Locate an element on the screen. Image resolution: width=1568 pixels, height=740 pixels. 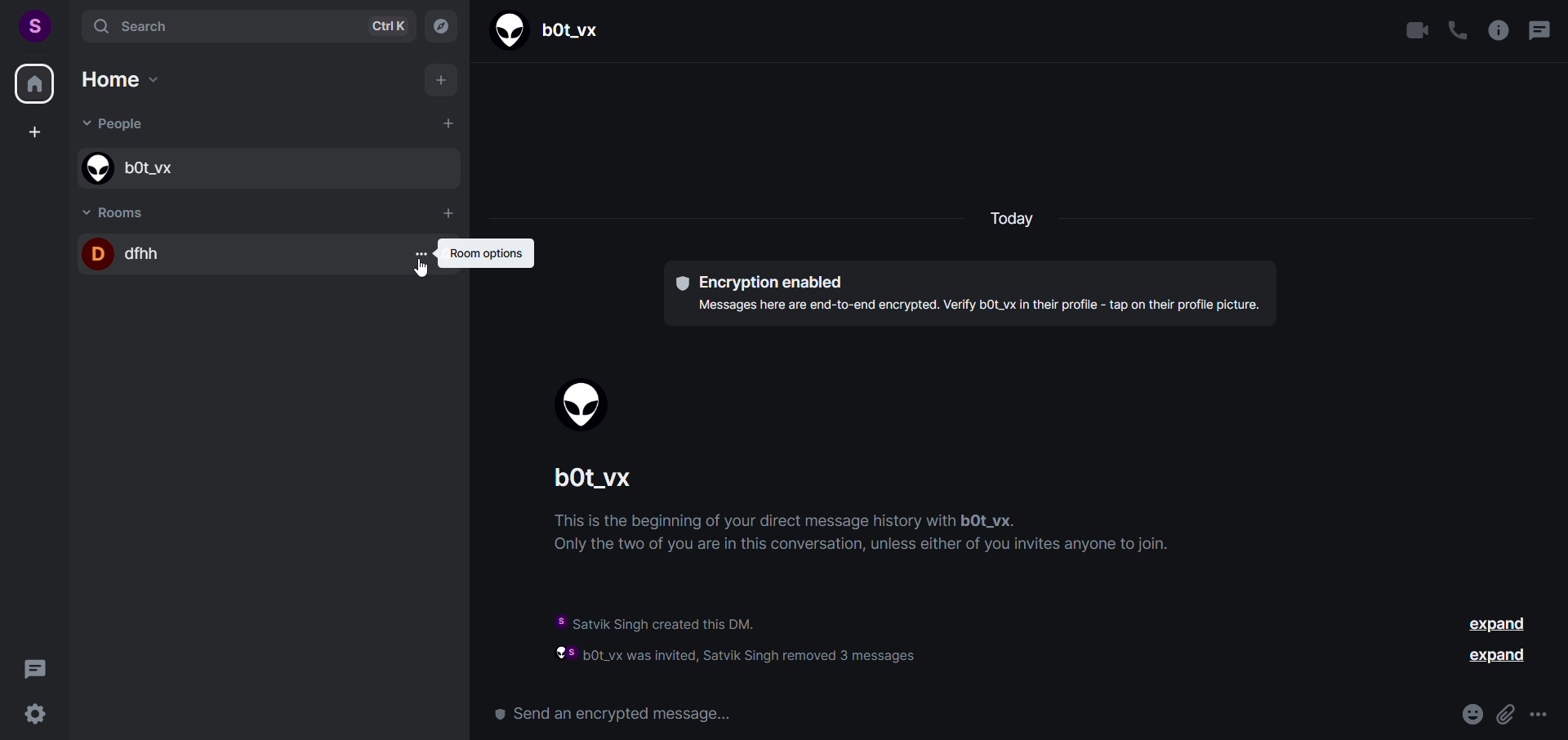
home options is located at coordinates (134, 83).